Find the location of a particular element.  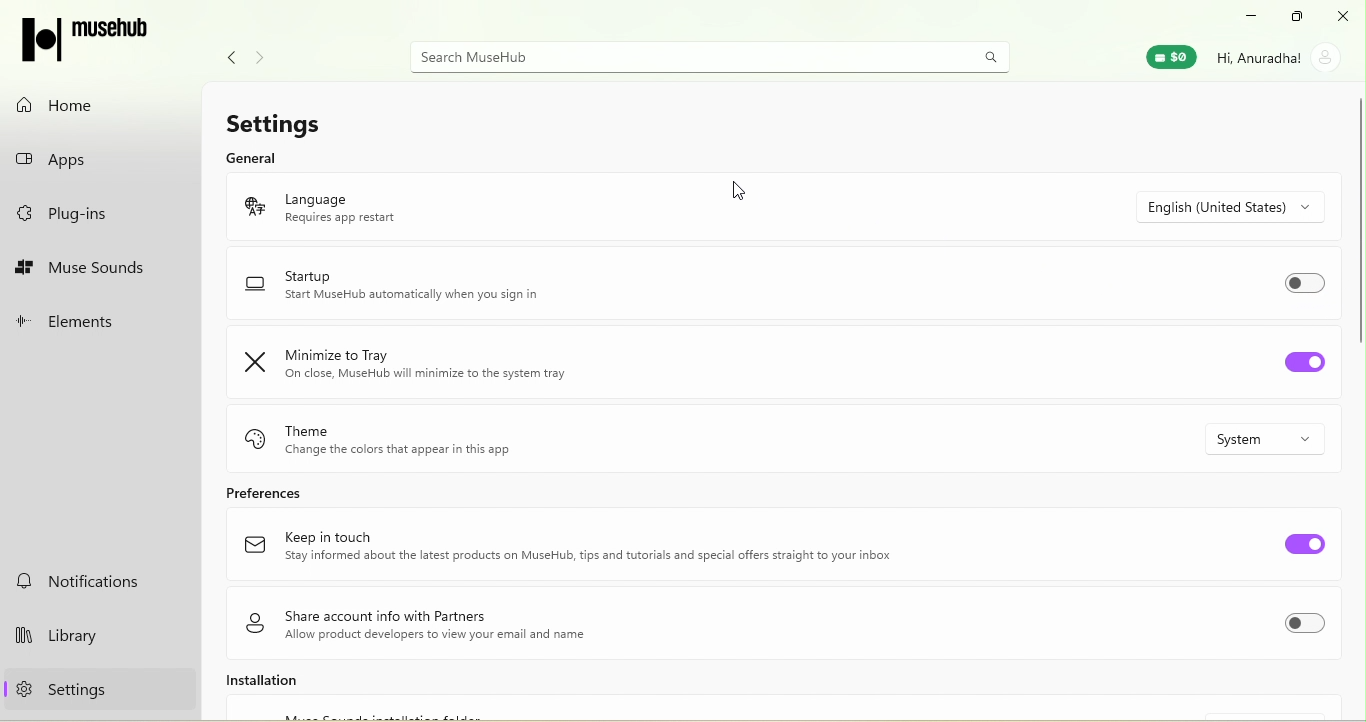

Startup is located at coordinates (407, 289).